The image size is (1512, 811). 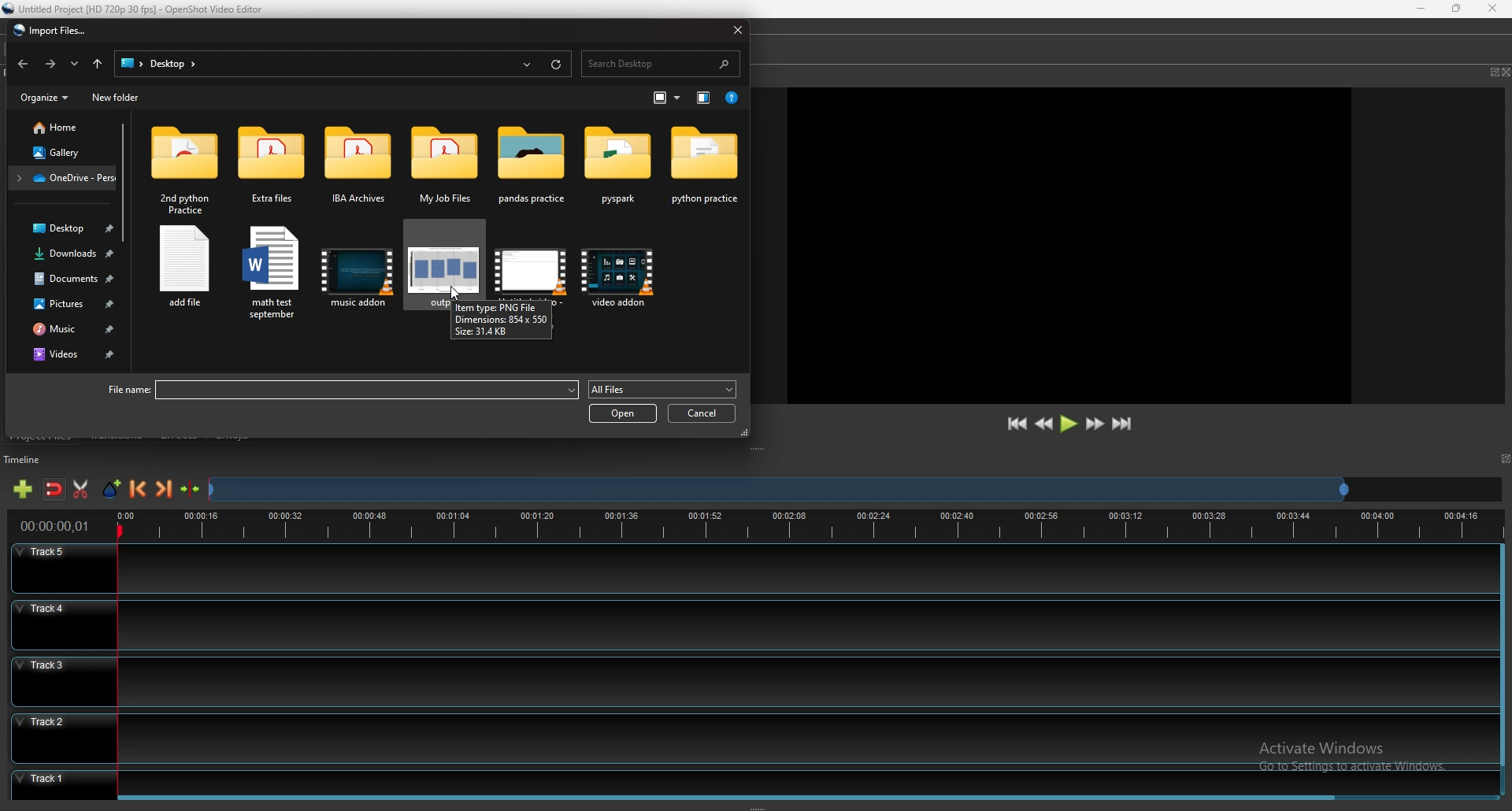 I want to click on file, so click(x=271, y=275).